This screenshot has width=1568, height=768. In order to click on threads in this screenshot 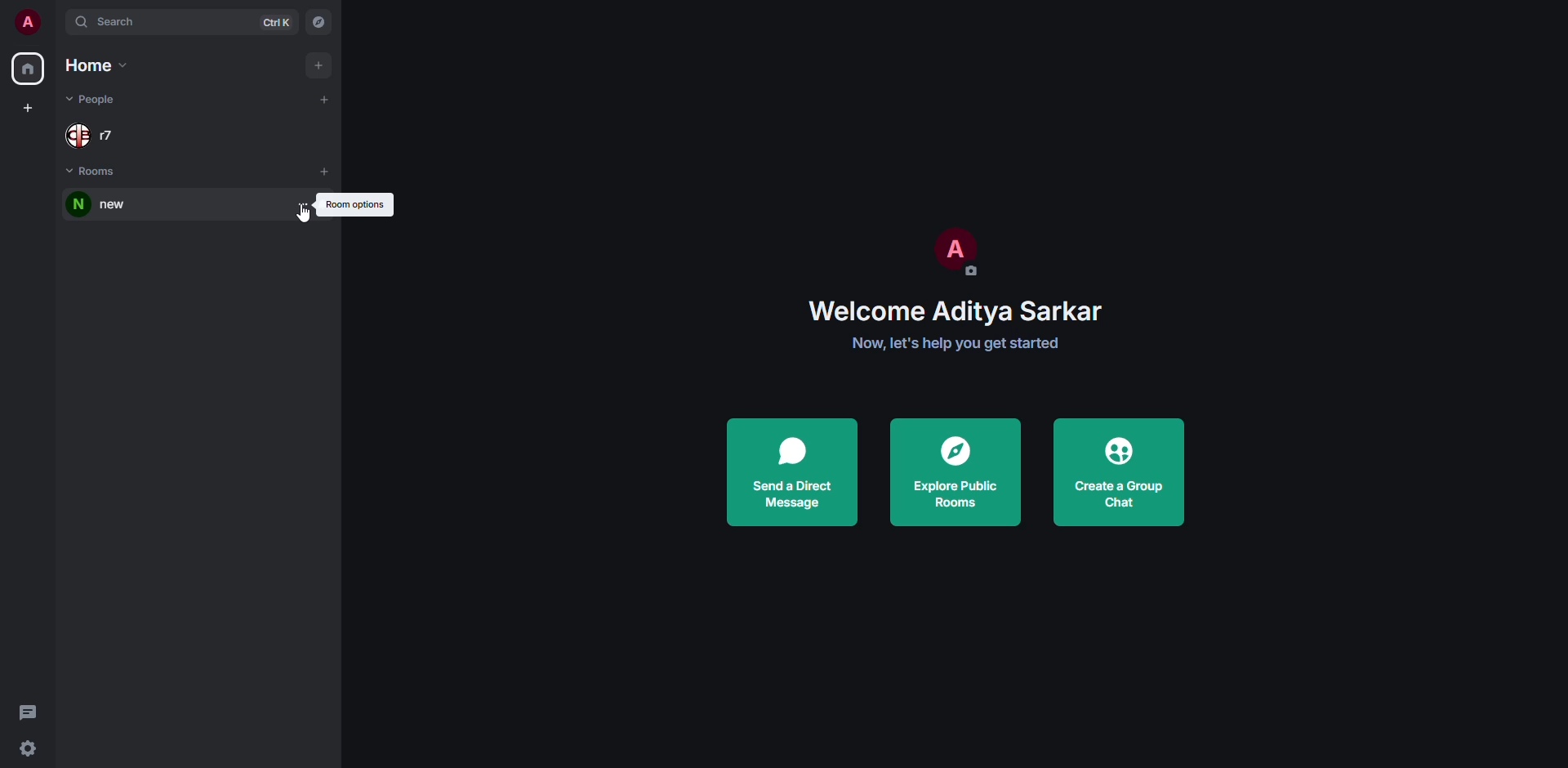, I will do `click(28, 711)`.